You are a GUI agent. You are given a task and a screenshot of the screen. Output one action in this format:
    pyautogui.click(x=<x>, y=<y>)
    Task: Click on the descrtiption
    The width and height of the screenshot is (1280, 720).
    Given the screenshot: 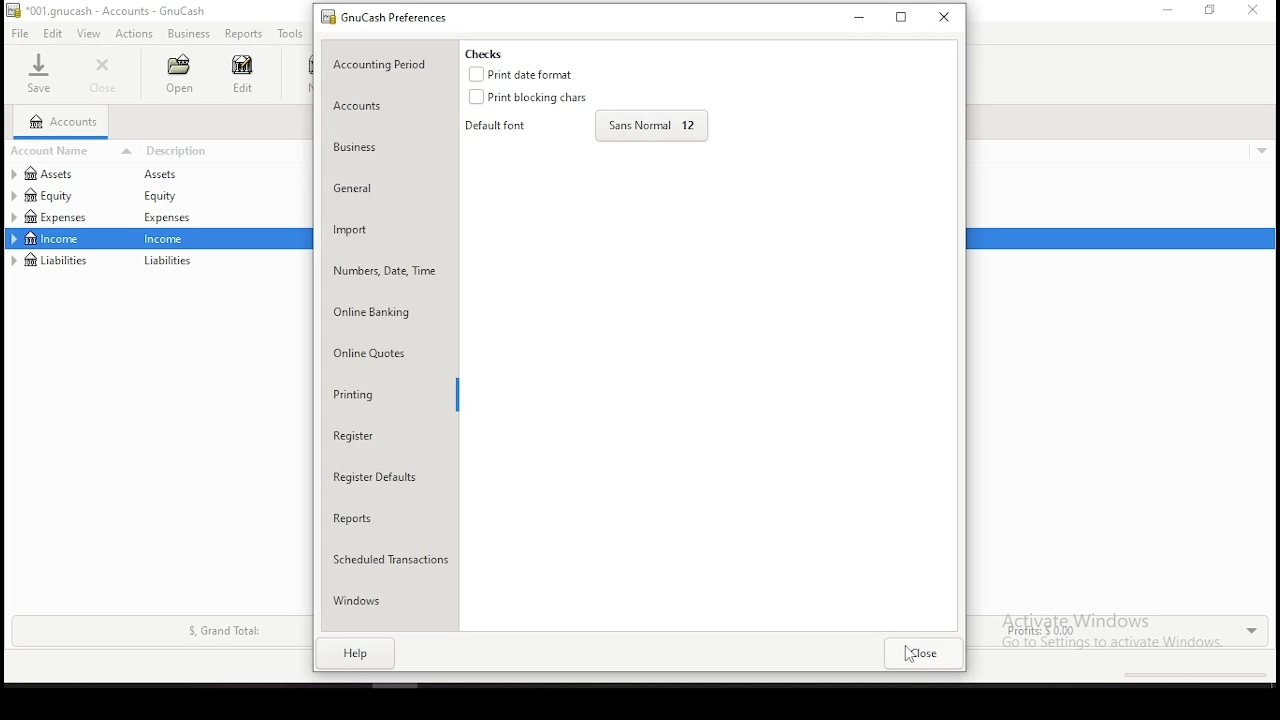 What is the action you would take?
    pyautogui.click(x=224, y=151)
    